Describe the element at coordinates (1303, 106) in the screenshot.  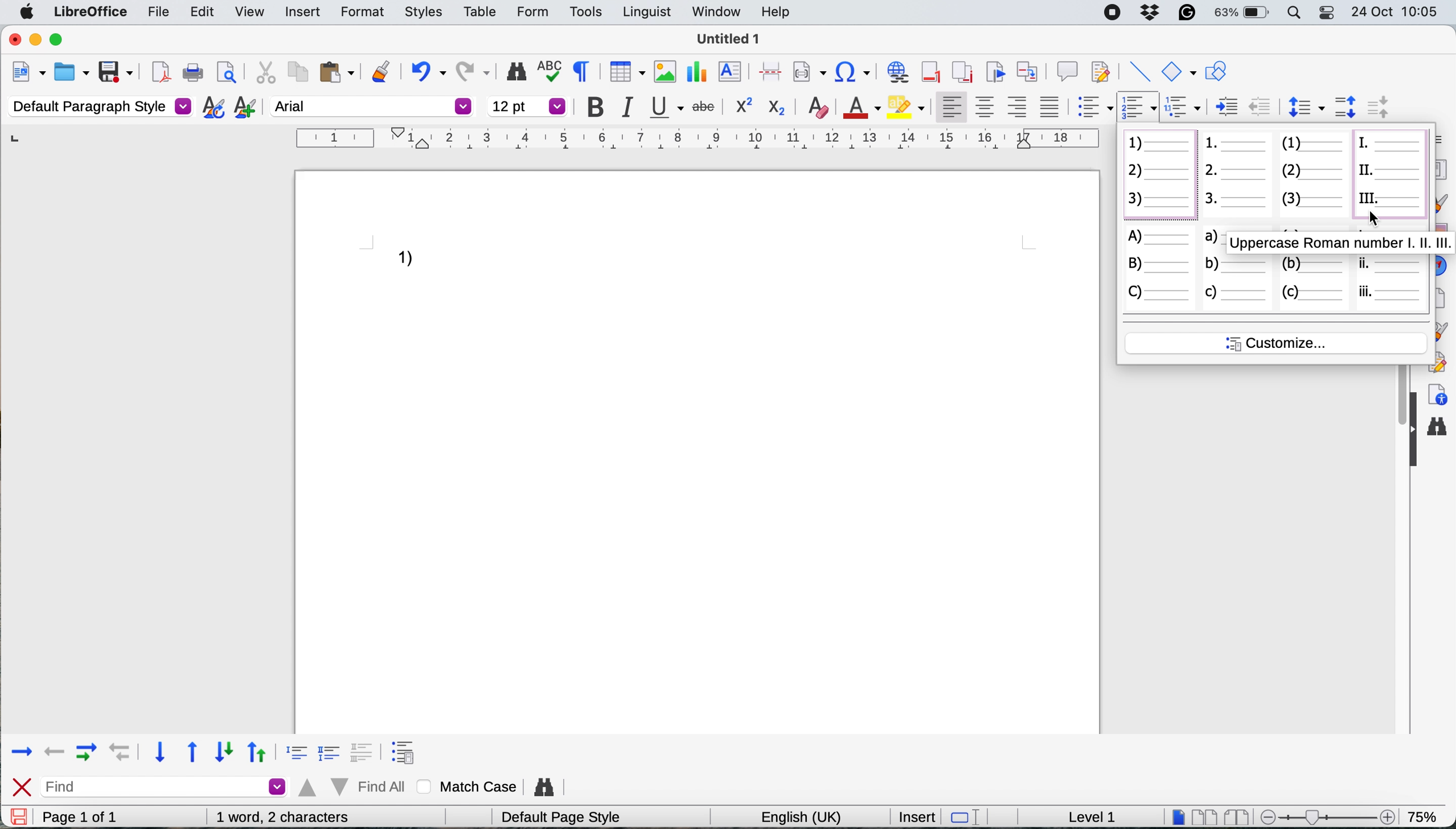
I see `set line spacing` at that location.